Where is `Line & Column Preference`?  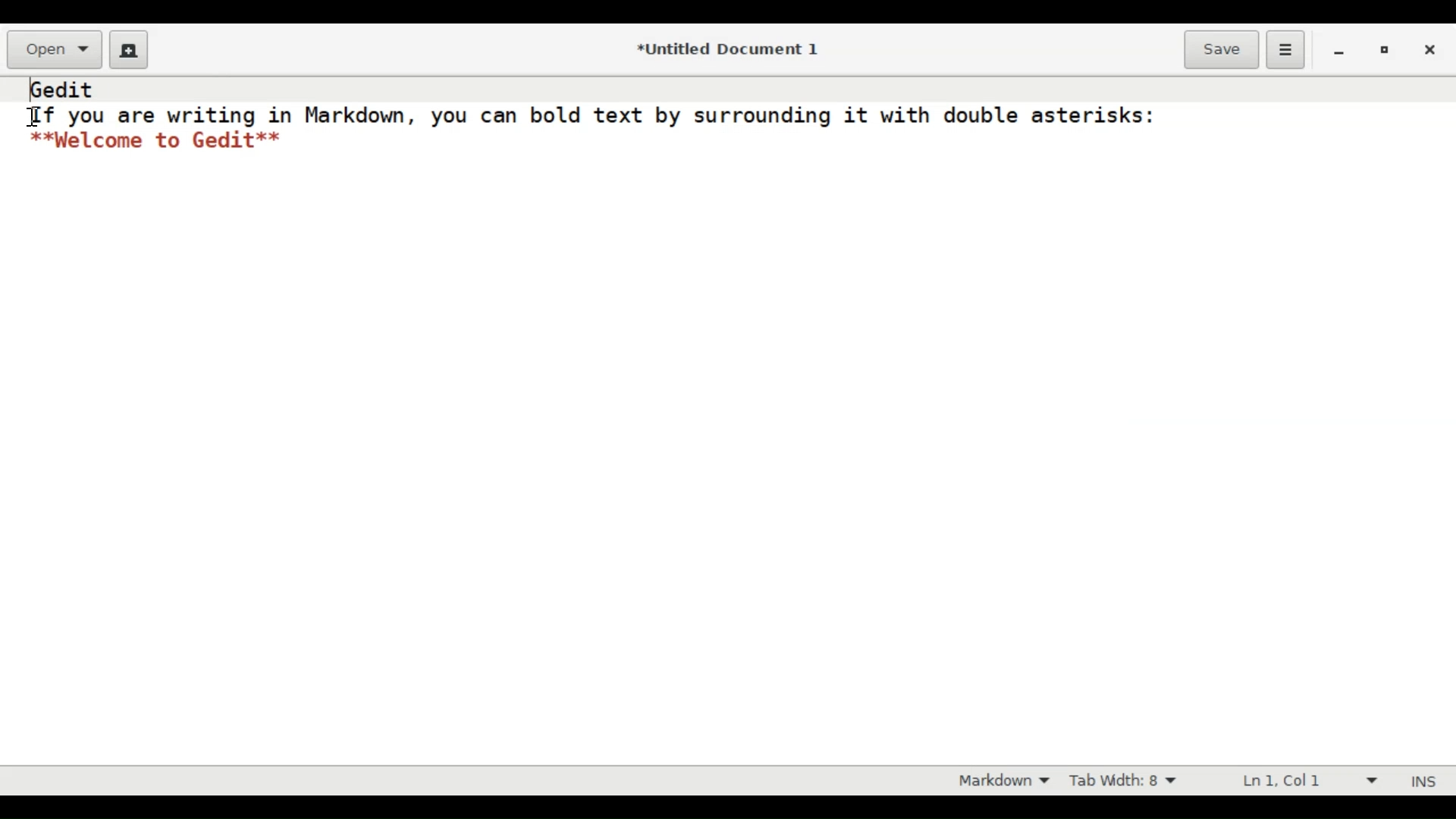
Line & Column Preference is located at coordinates (1304, 781).